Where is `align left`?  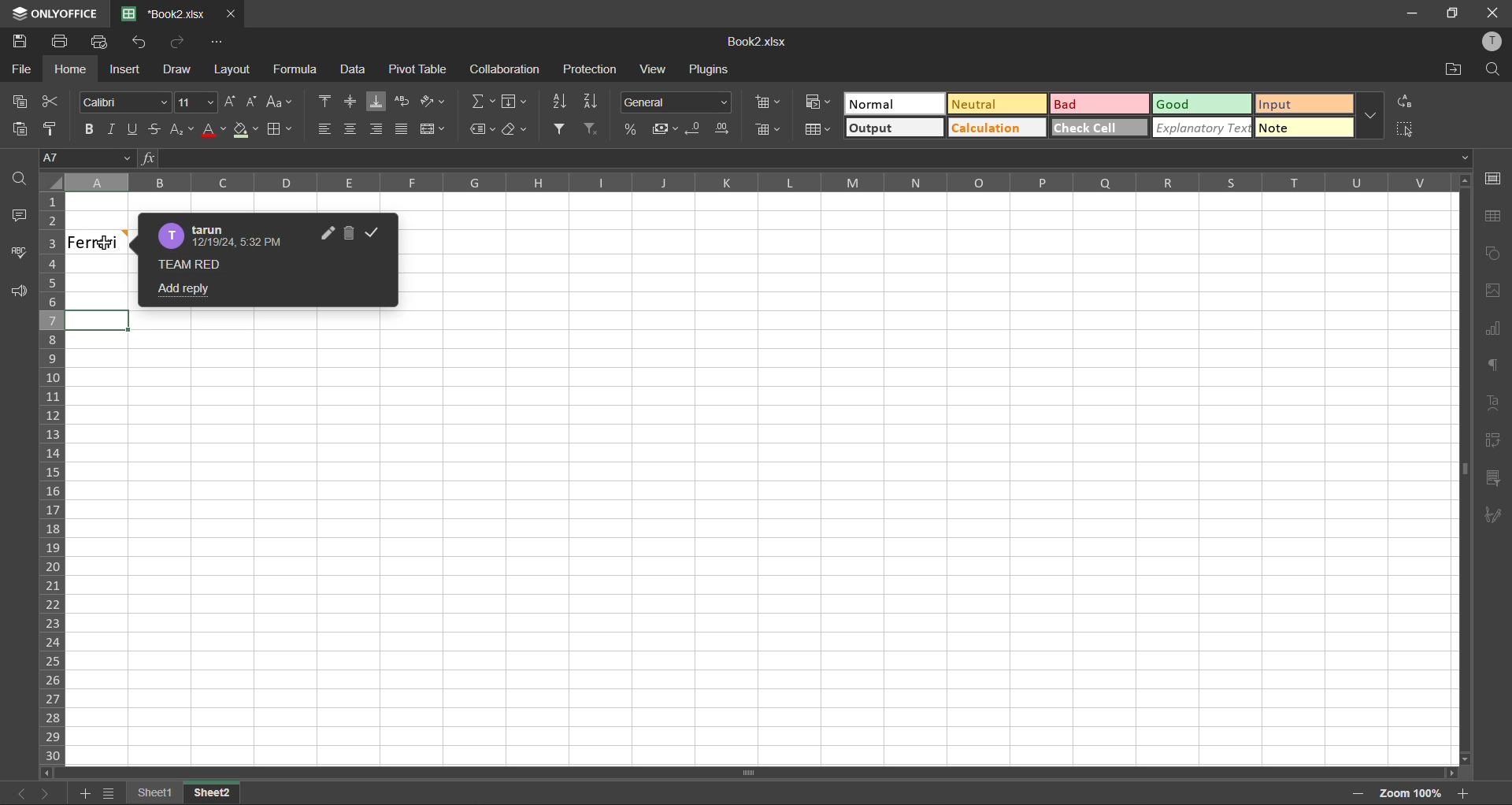
align left is located at coordinates (323, 127).